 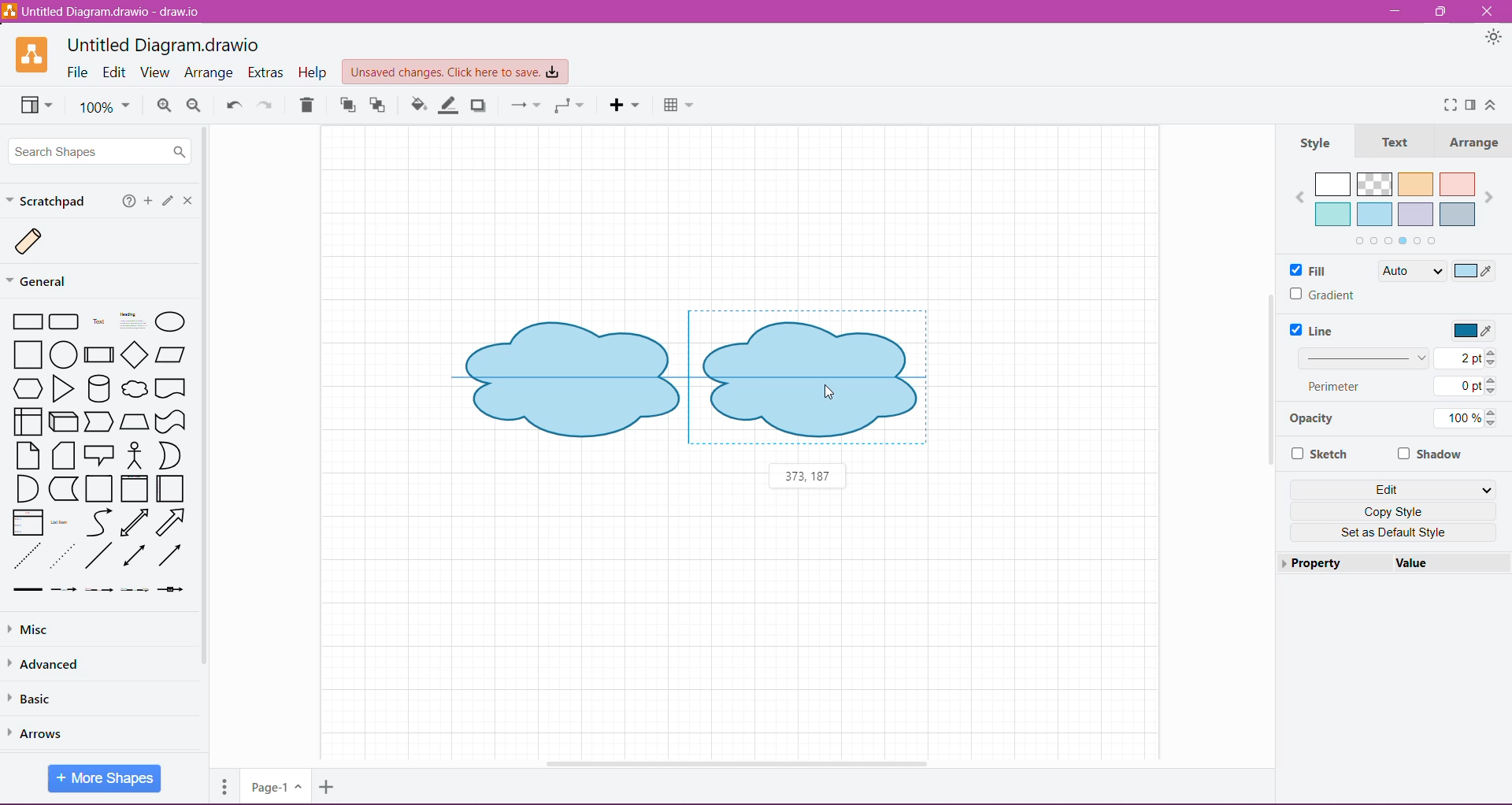 I want to click on 100%, so click(x=1470, y=419).